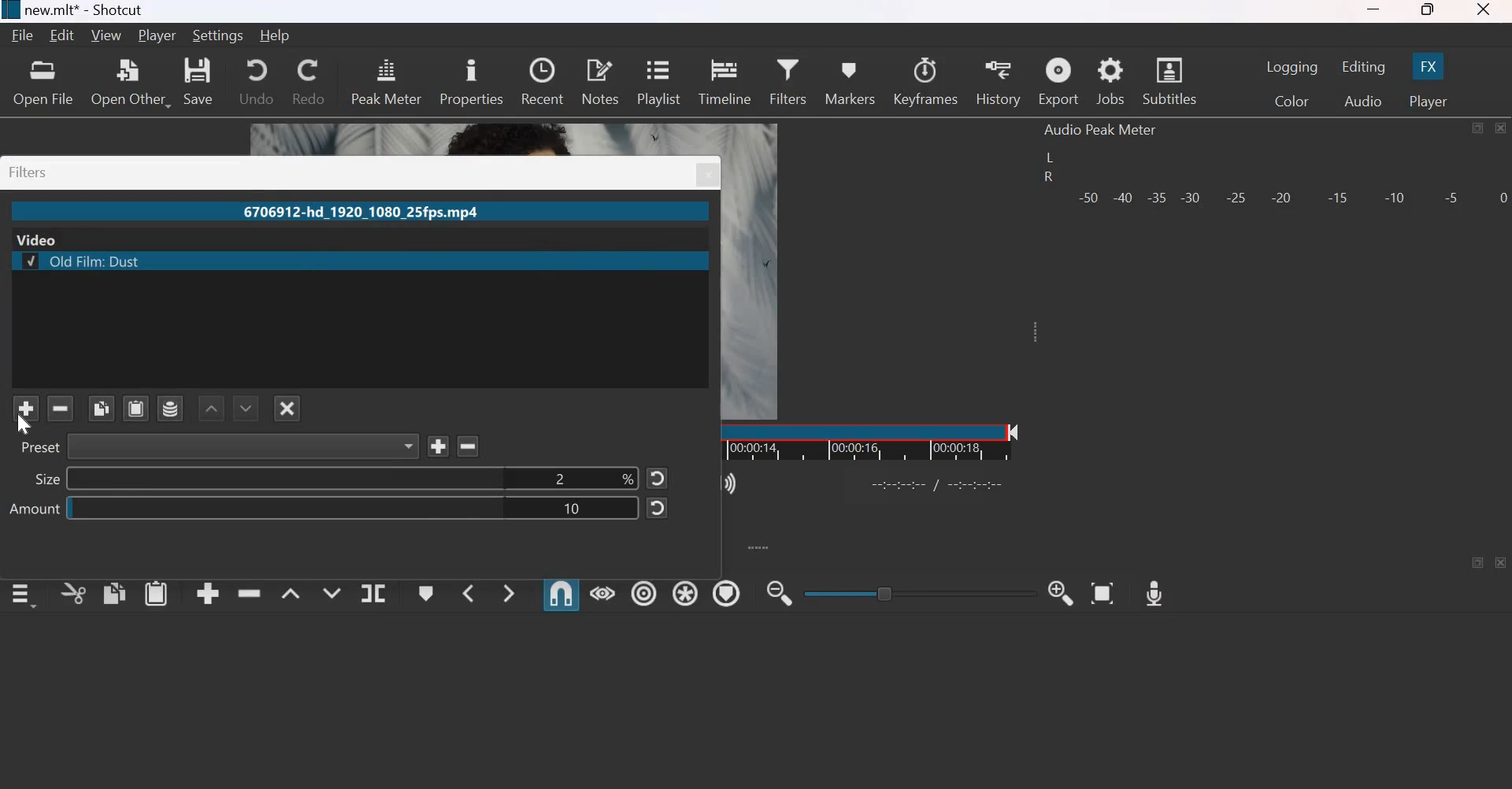  What do you see at coordinates (287, 409) in the screenshot?
I see `deselect the filter` at bounding box center [287, 409].